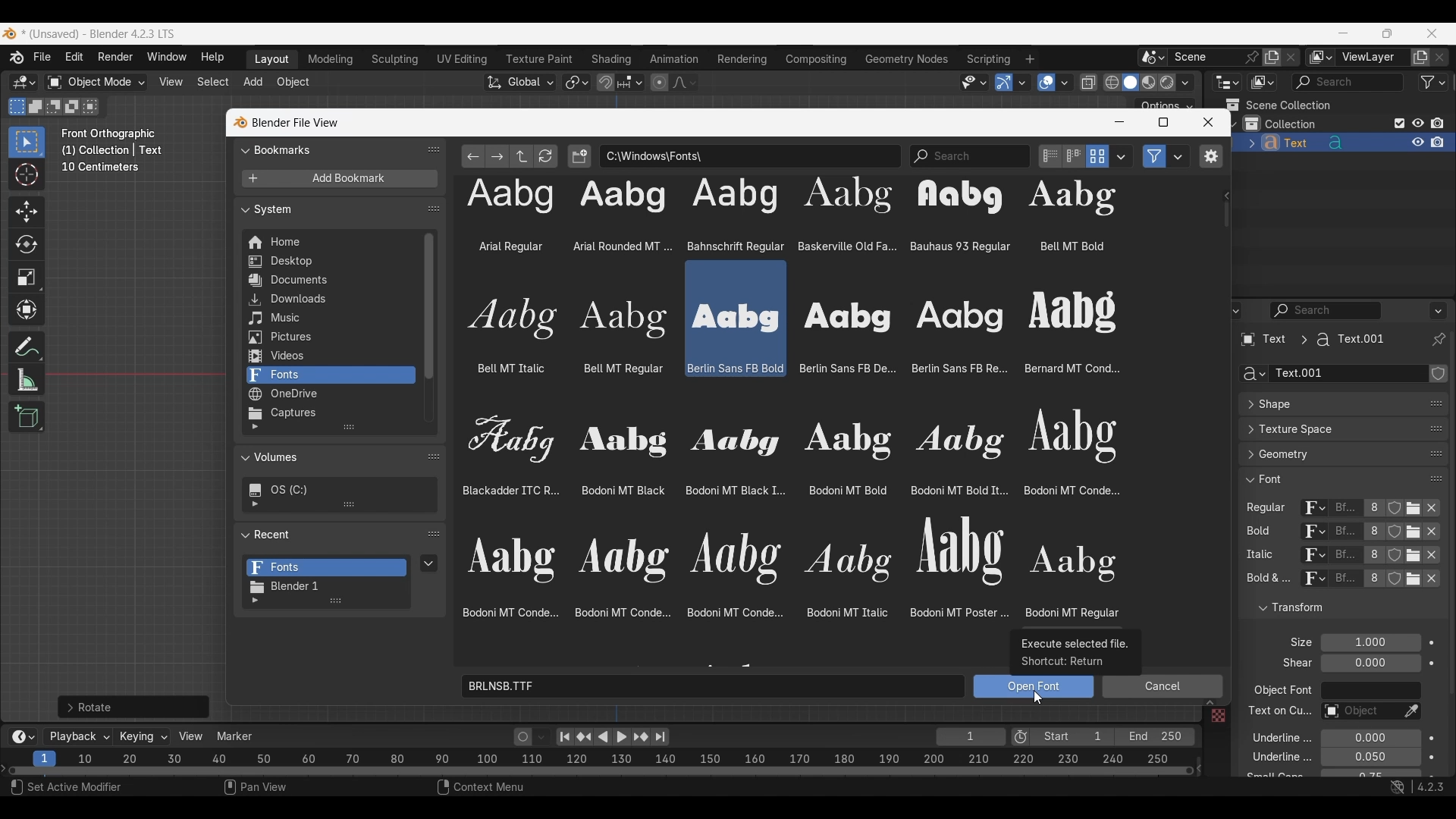 Image resolution: width=1456 pixels, height=819 pixels. Describe the element at coordinates (1255, 534) in the screenshot. I see `bold` at that location.